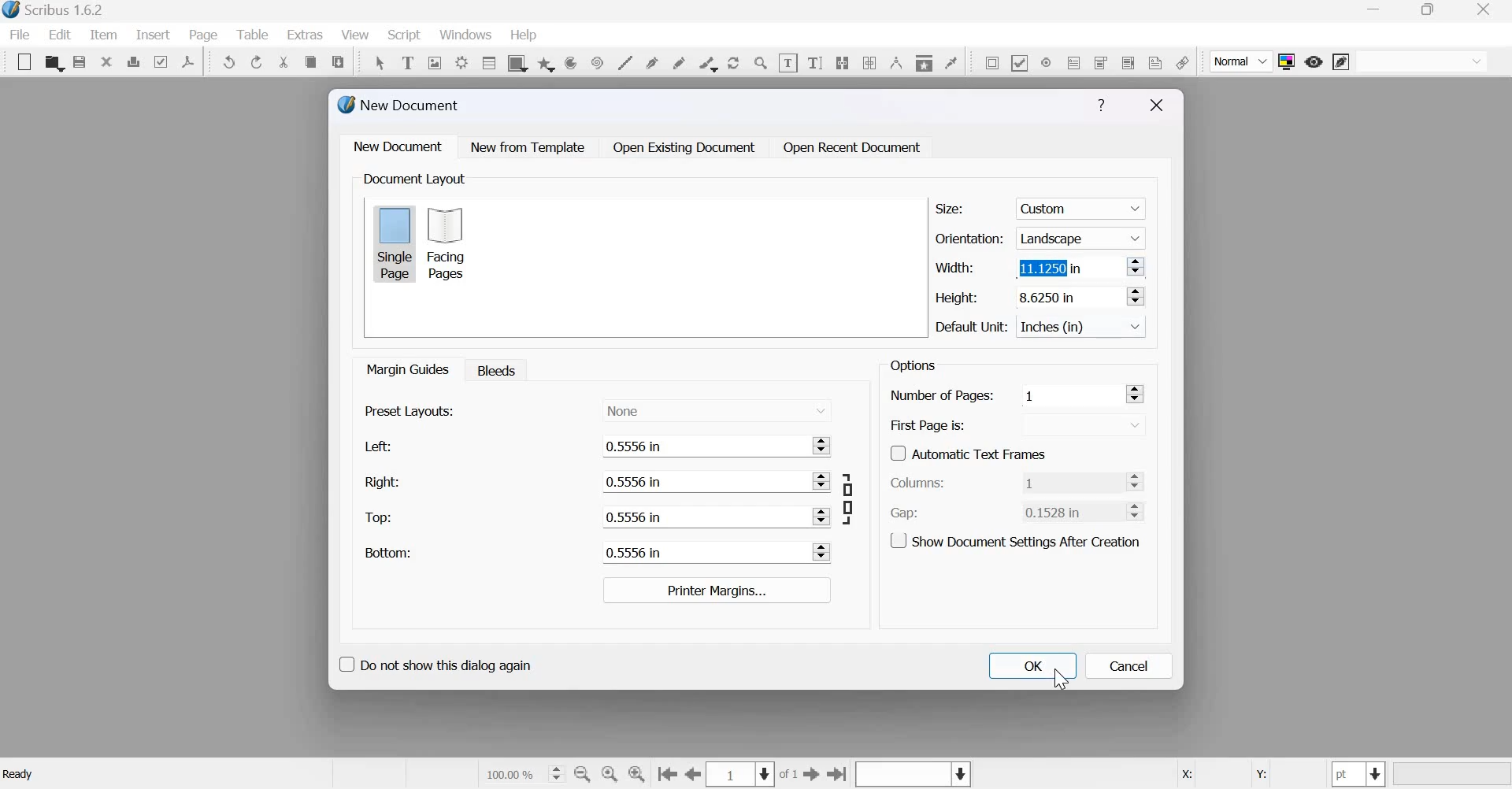 The image size is (1512, 789). I want to click on zoom to 100 %, so click(610, 775).